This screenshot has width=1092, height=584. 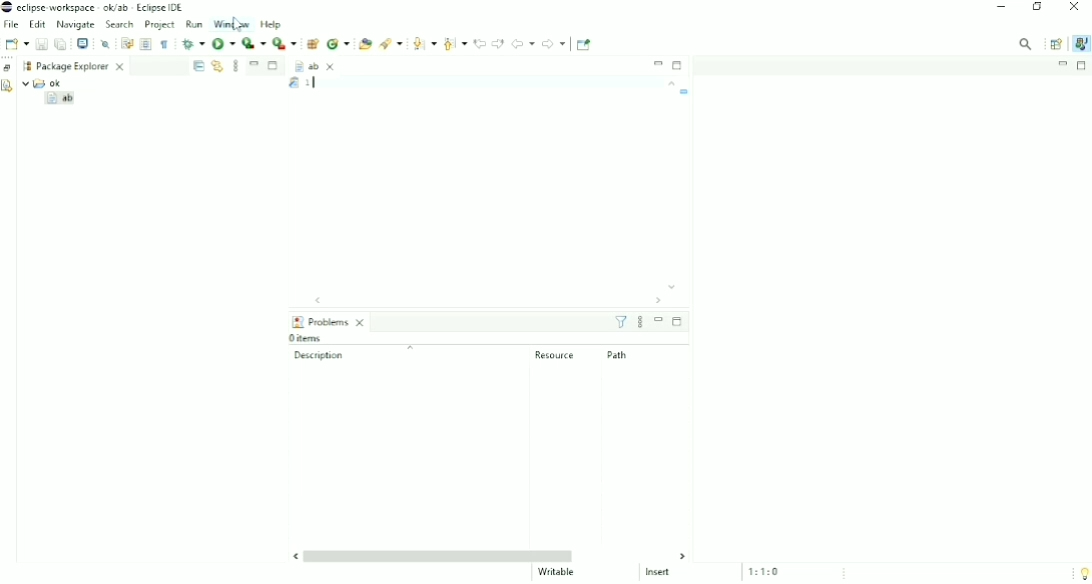 I want to click on Maximize, so click(x=1083, y=66).